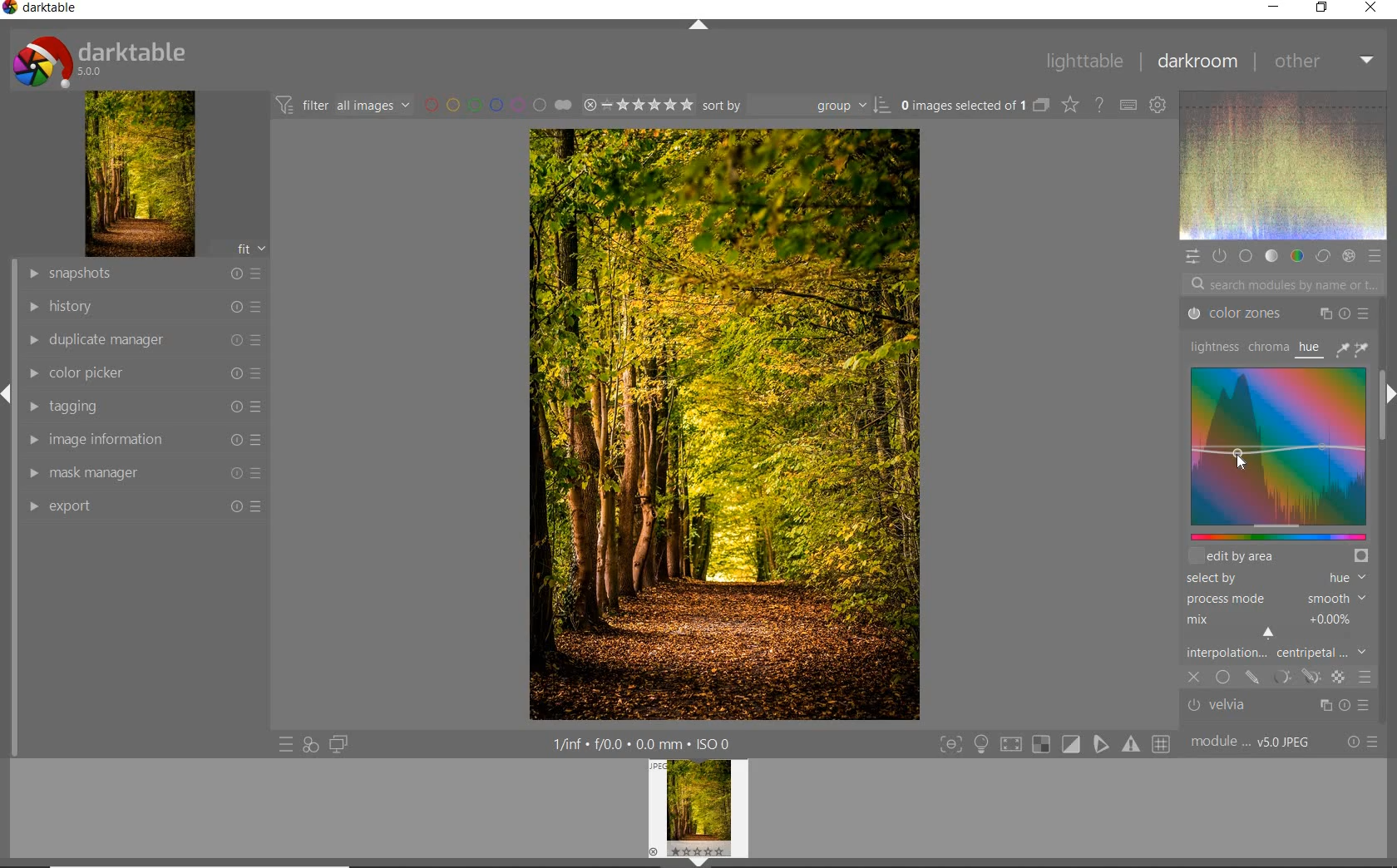  I want to click on TAGGING, so click(143, 407).